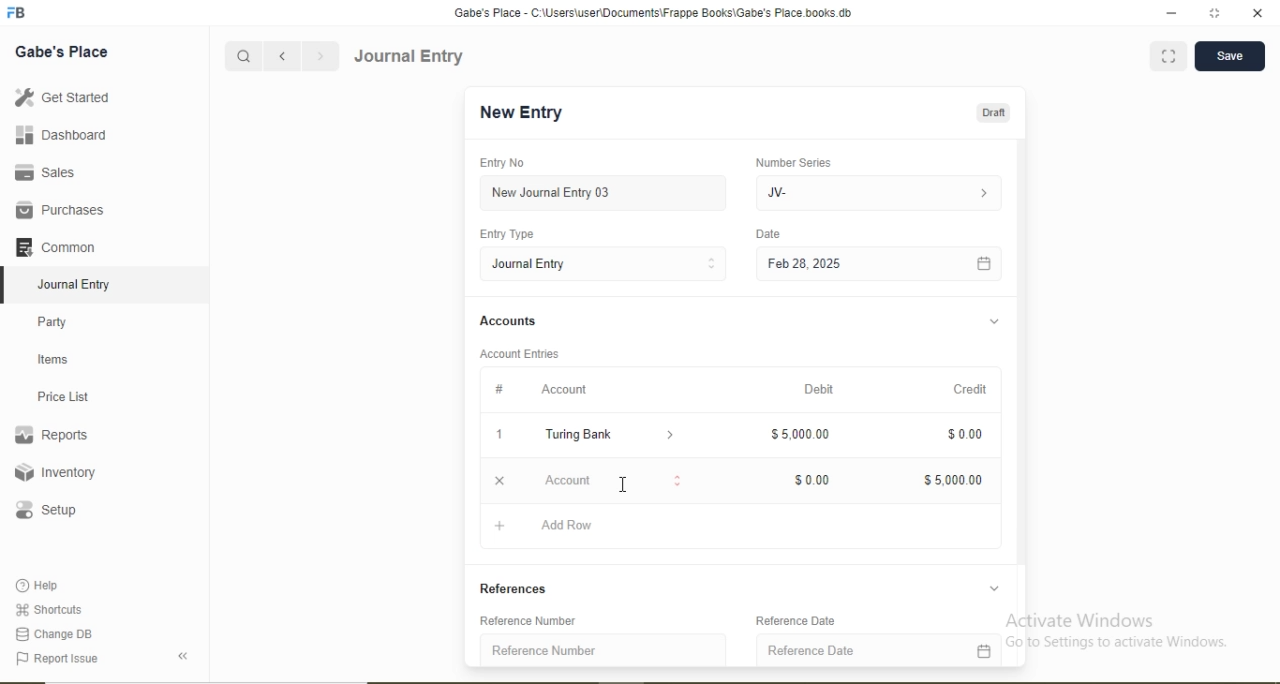 The height and width of the screenshot is (684, 1280). Describe the element at coordinates (17, 13) in the screenshot. I see `Logo` at that location.